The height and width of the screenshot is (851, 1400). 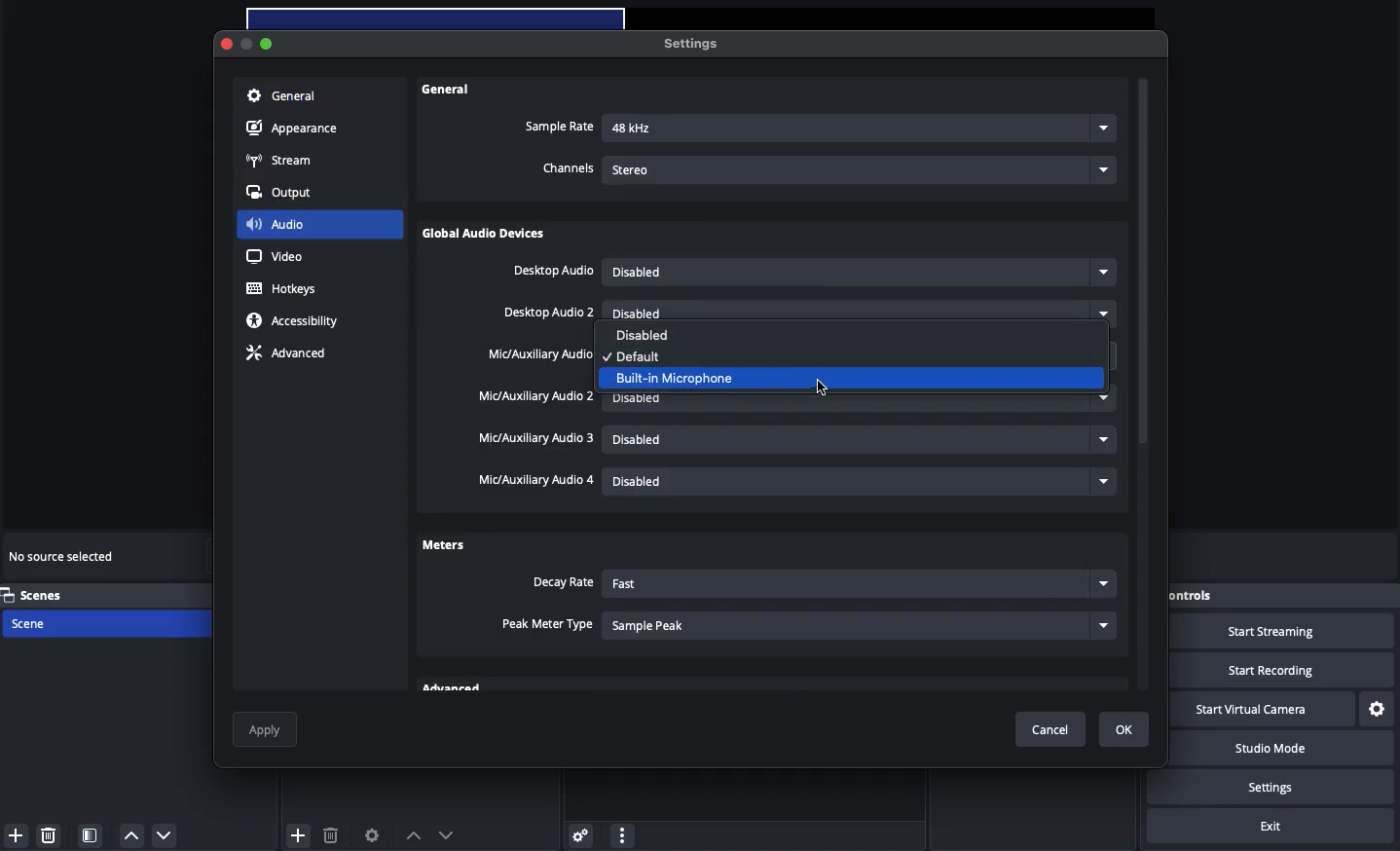 What do you see at coordinates (686, 376) in the screenshot?
I see `Built in mic` at bounding box center [686, 376].